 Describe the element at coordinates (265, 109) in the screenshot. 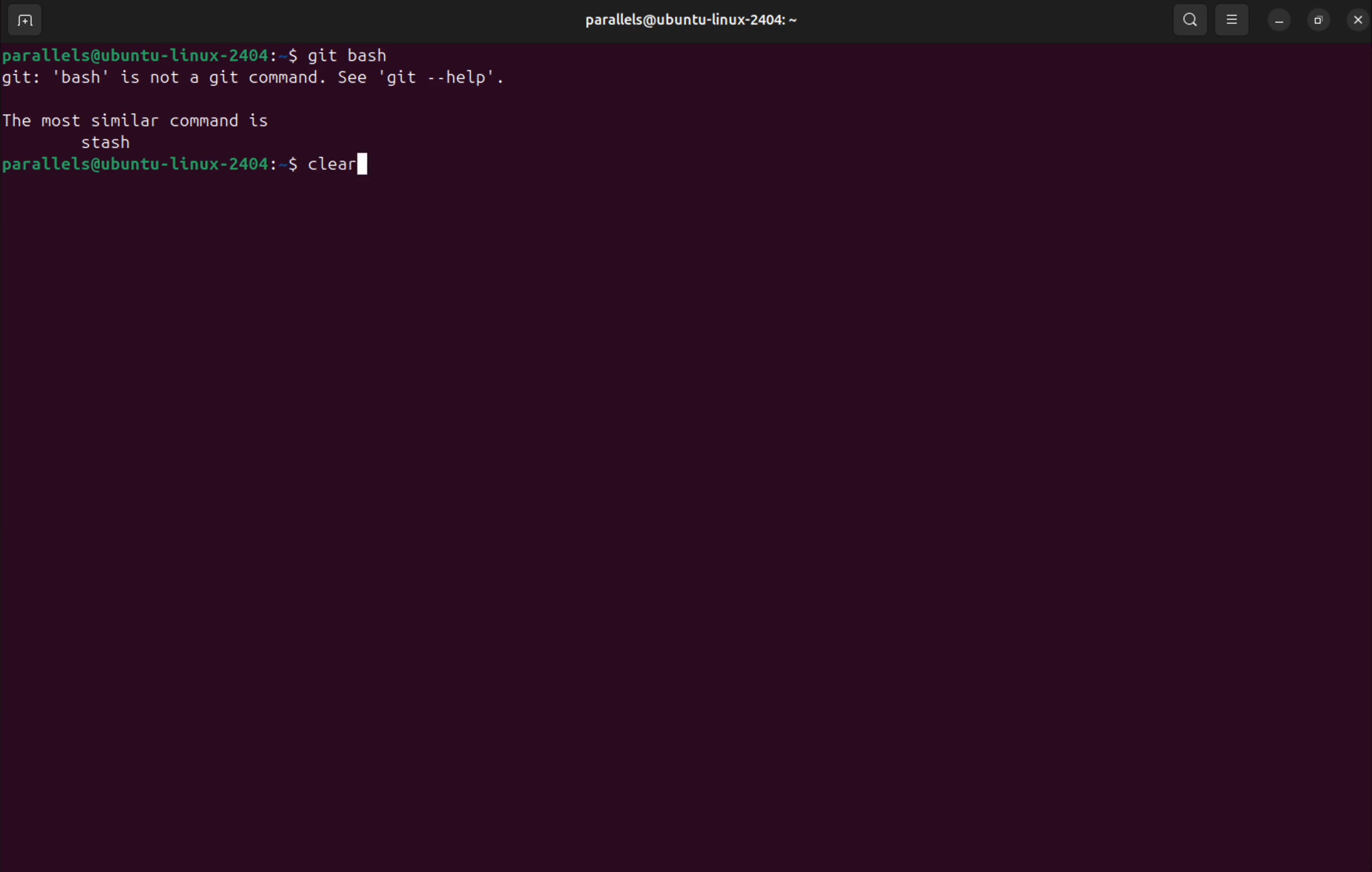

I see `invalid command` at that location.